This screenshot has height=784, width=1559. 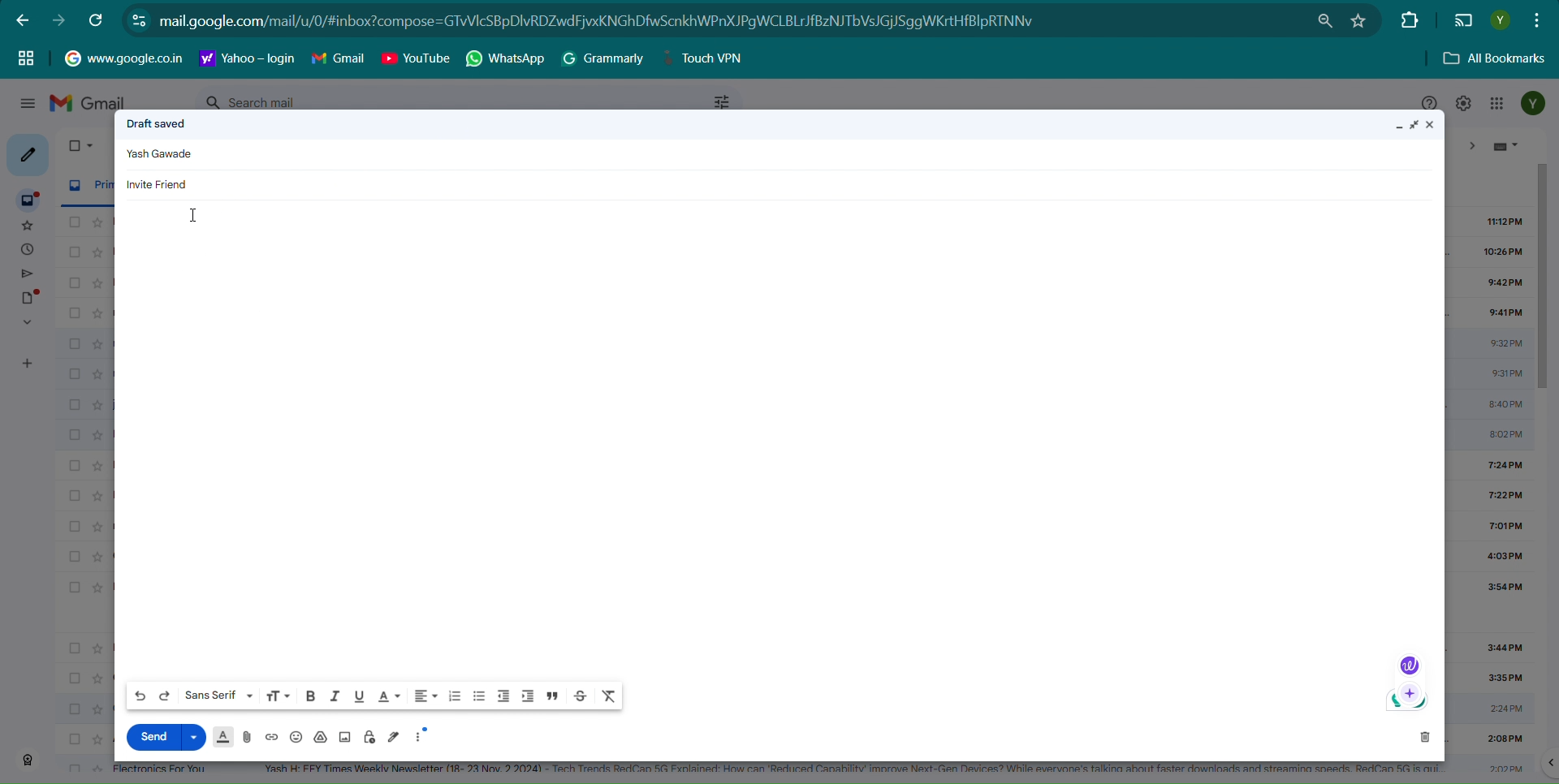 What do you see at coordinates (1539, 19) in the screenshot?
I see `Customize and control google chrome` at bounding box center [1539, 19].